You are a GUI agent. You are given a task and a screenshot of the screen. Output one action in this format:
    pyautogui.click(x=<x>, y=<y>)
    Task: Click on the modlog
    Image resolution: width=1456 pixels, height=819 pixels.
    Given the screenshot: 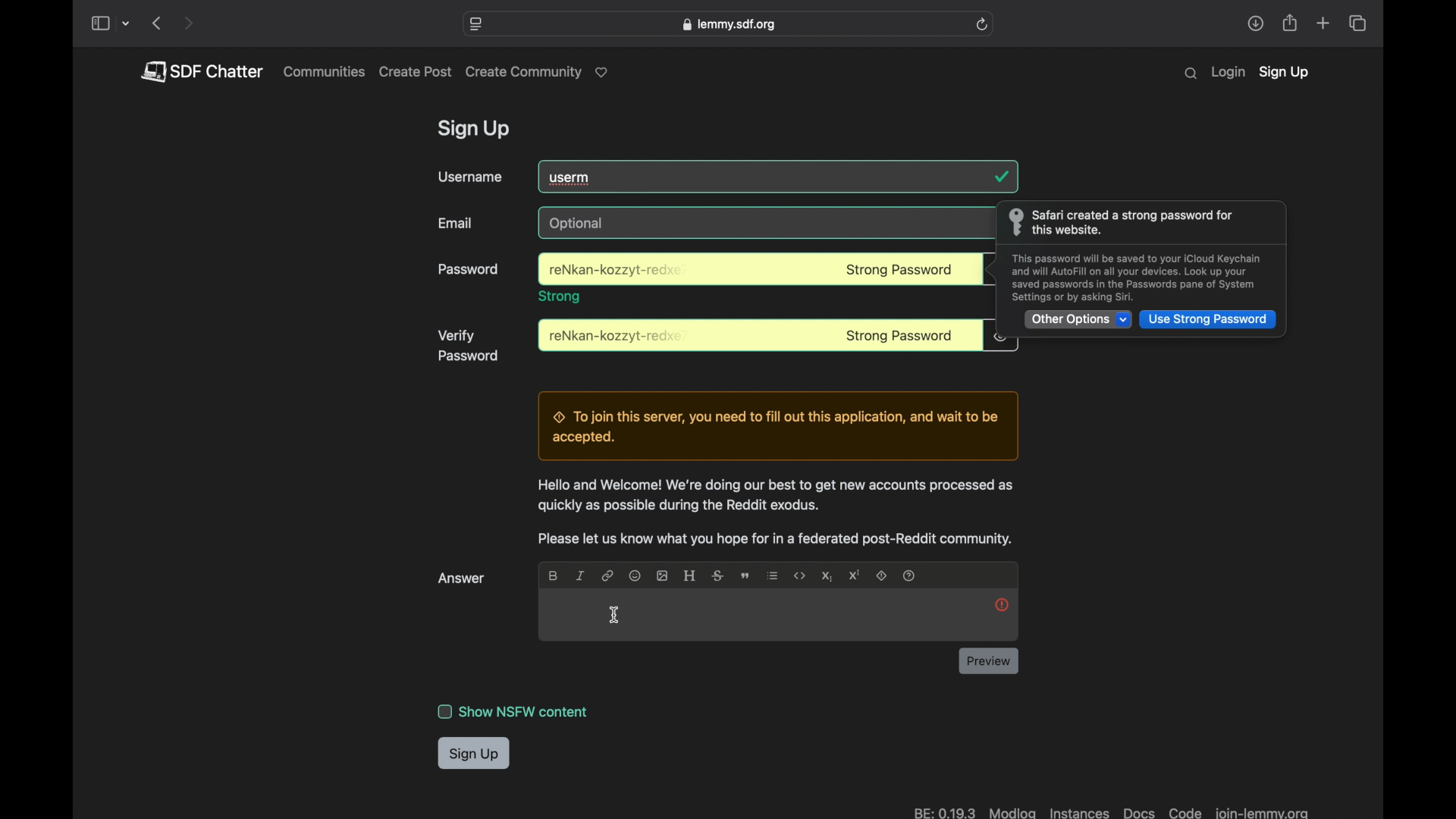 What is the action you would take?
    pyautogui.click(x=1013, y=811)
    